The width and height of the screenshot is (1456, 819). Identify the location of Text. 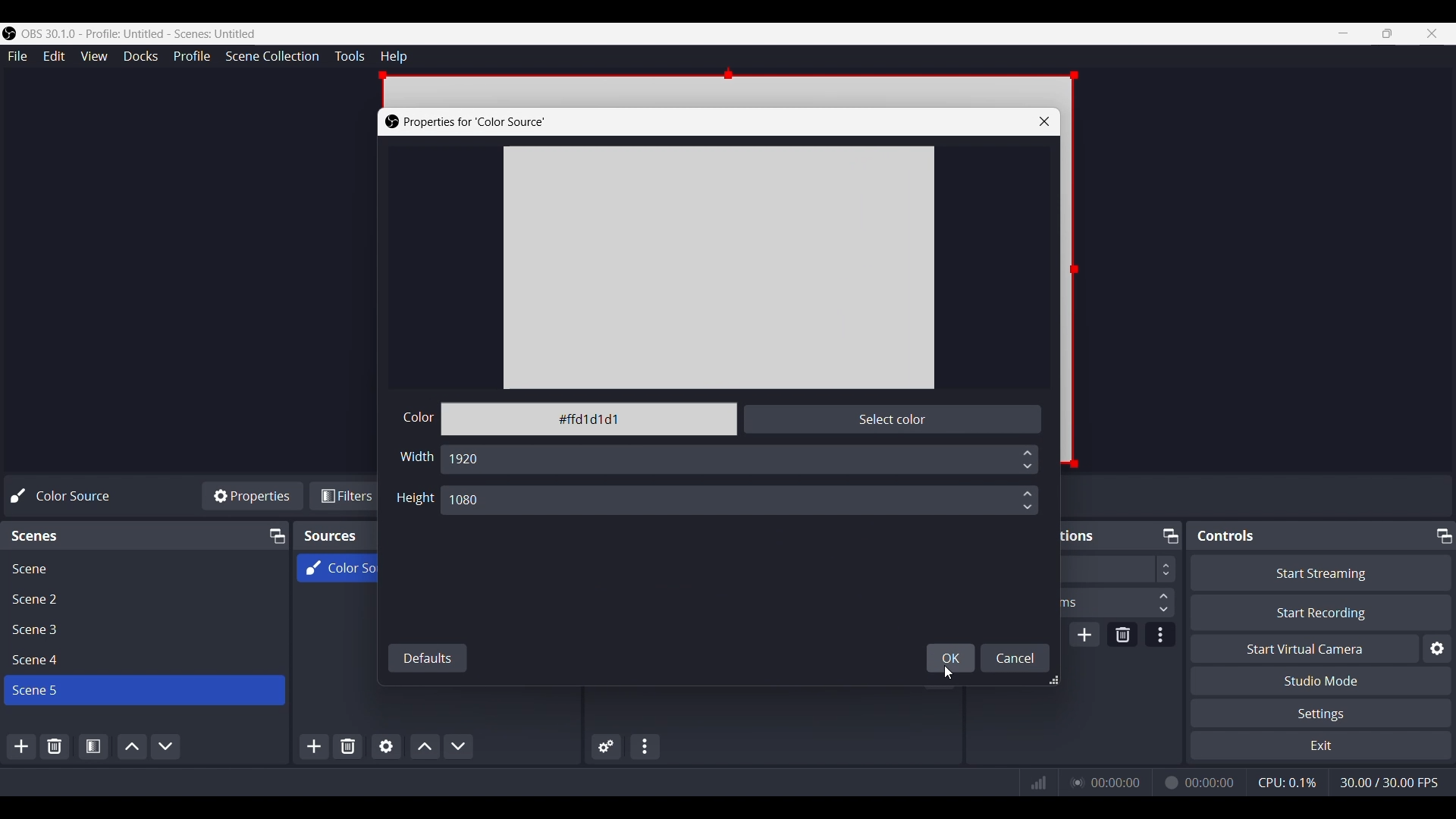
(469, 121).